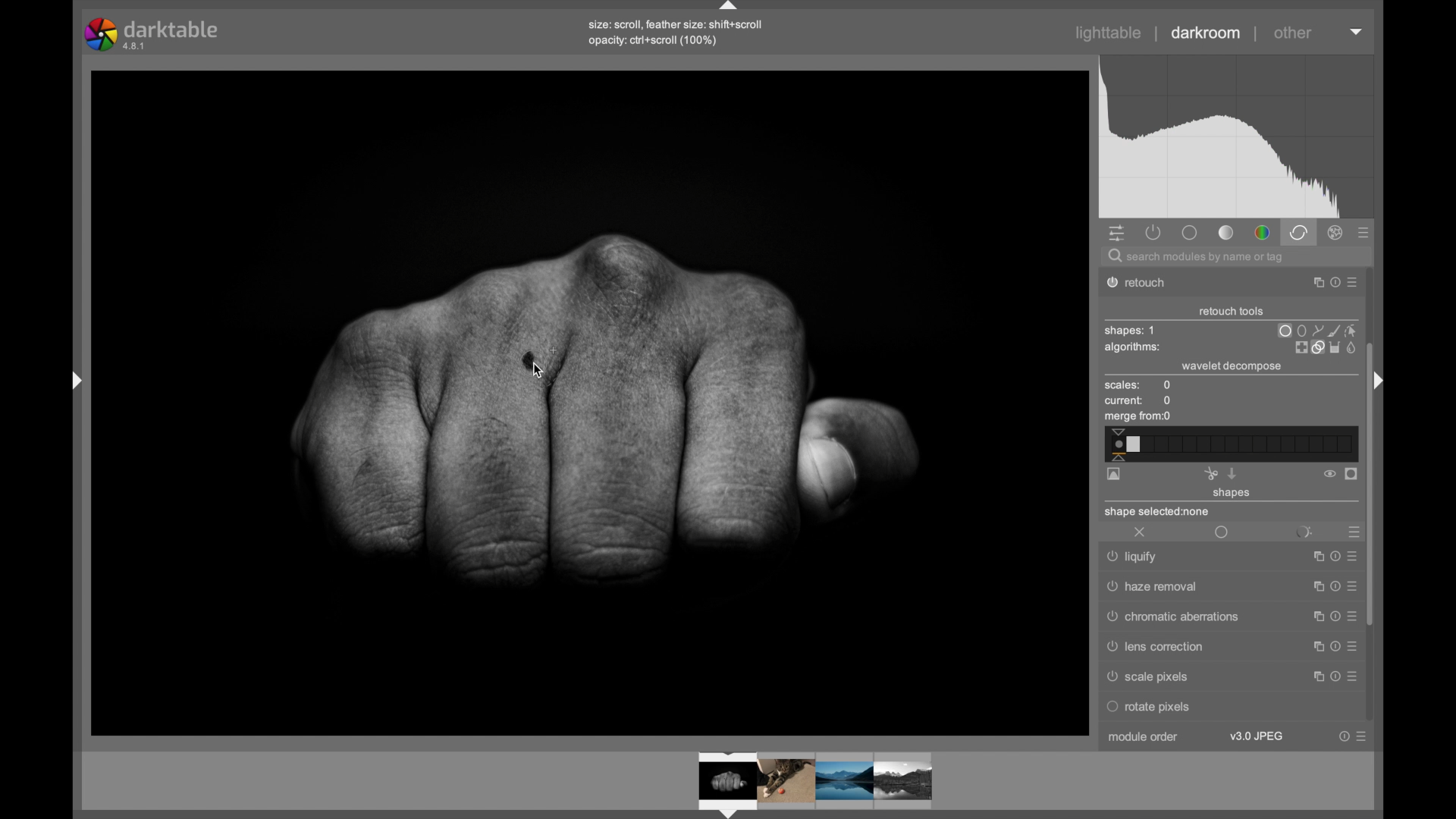 Image resolution: width=1456 pixels, height=819 pixels. Describe the element at coordinates (1361, 736) in the screenshot. I see `more options` at that location.